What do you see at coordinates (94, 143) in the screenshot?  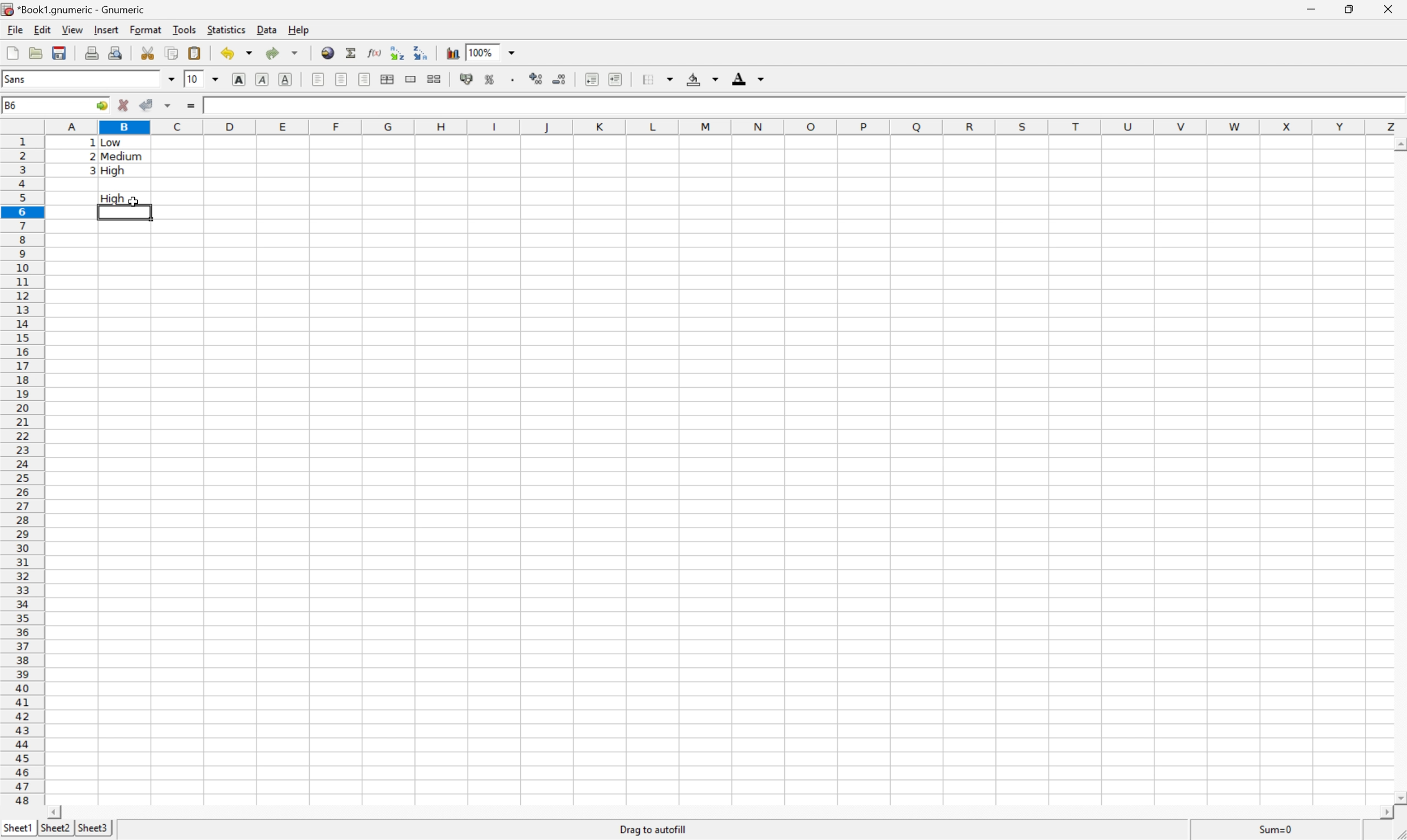 I see `1` at bounding box center [94, 143].